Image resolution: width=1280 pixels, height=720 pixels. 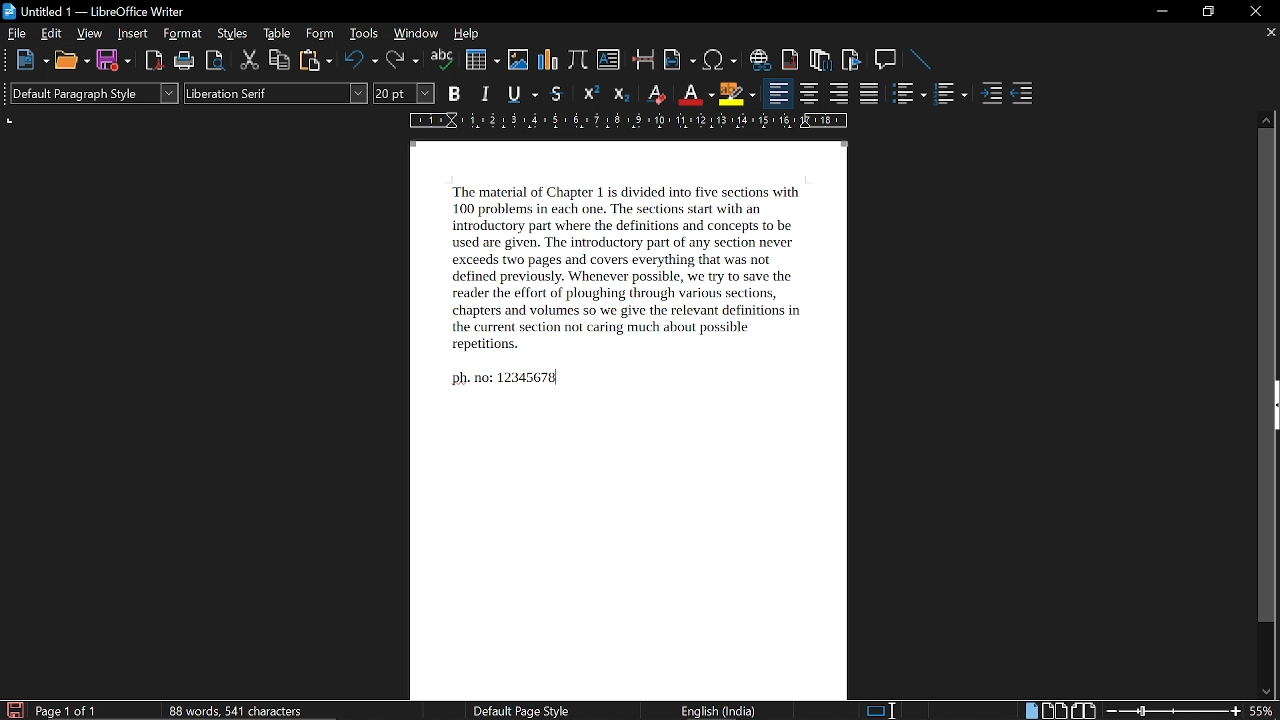 What do you see at coordinates (130, 34) in the screenshot?
I see `insert` at bounding box center [130, 34].